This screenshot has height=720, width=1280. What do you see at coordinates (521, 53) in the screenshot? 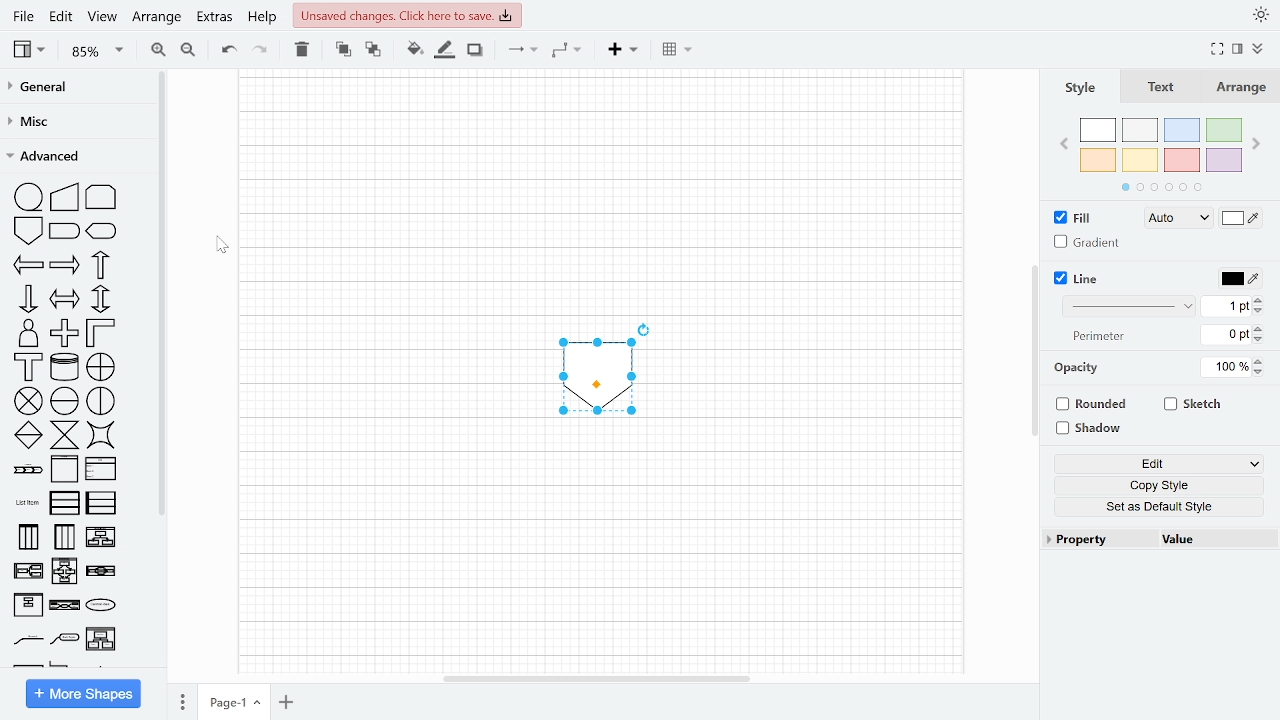
I see `Connection` at bounding box center [521, 53].